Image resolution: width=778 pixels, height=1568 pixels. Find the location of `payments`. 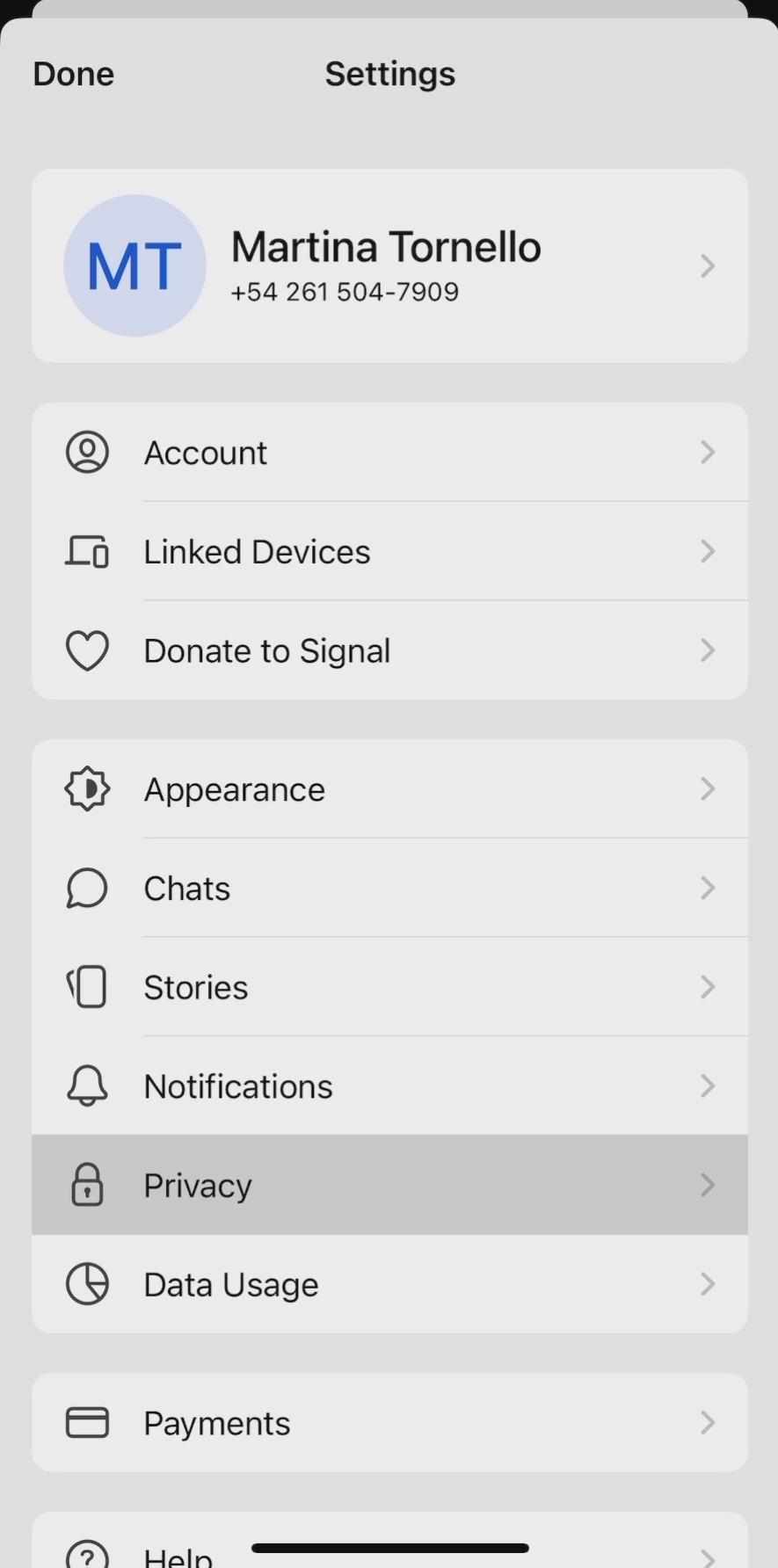

payments is located at coordinates (359, 1422).